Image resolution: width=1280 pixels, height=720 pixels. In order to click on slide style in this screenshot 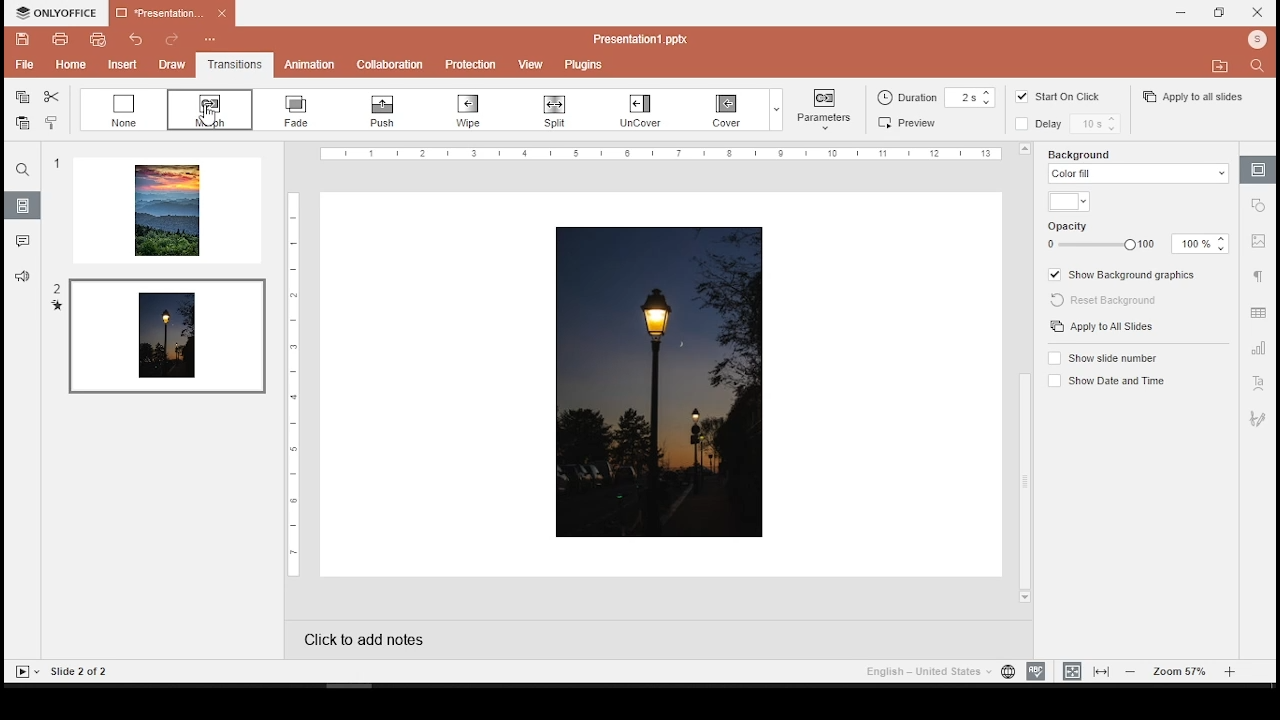, I will do `click(938, 97)`.